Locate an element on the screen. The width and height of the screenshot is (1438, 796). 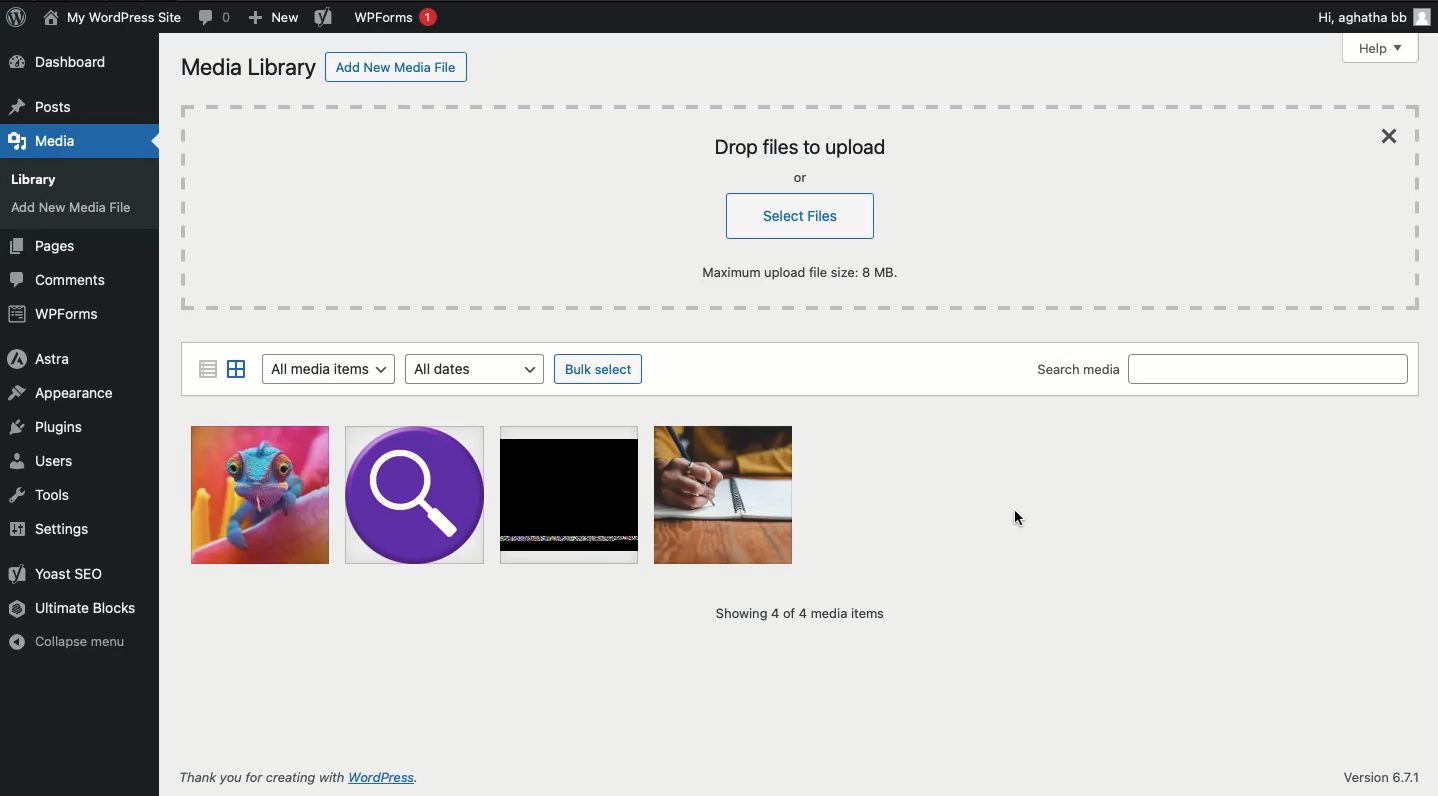
All dates is located at coordinates (479, 369).